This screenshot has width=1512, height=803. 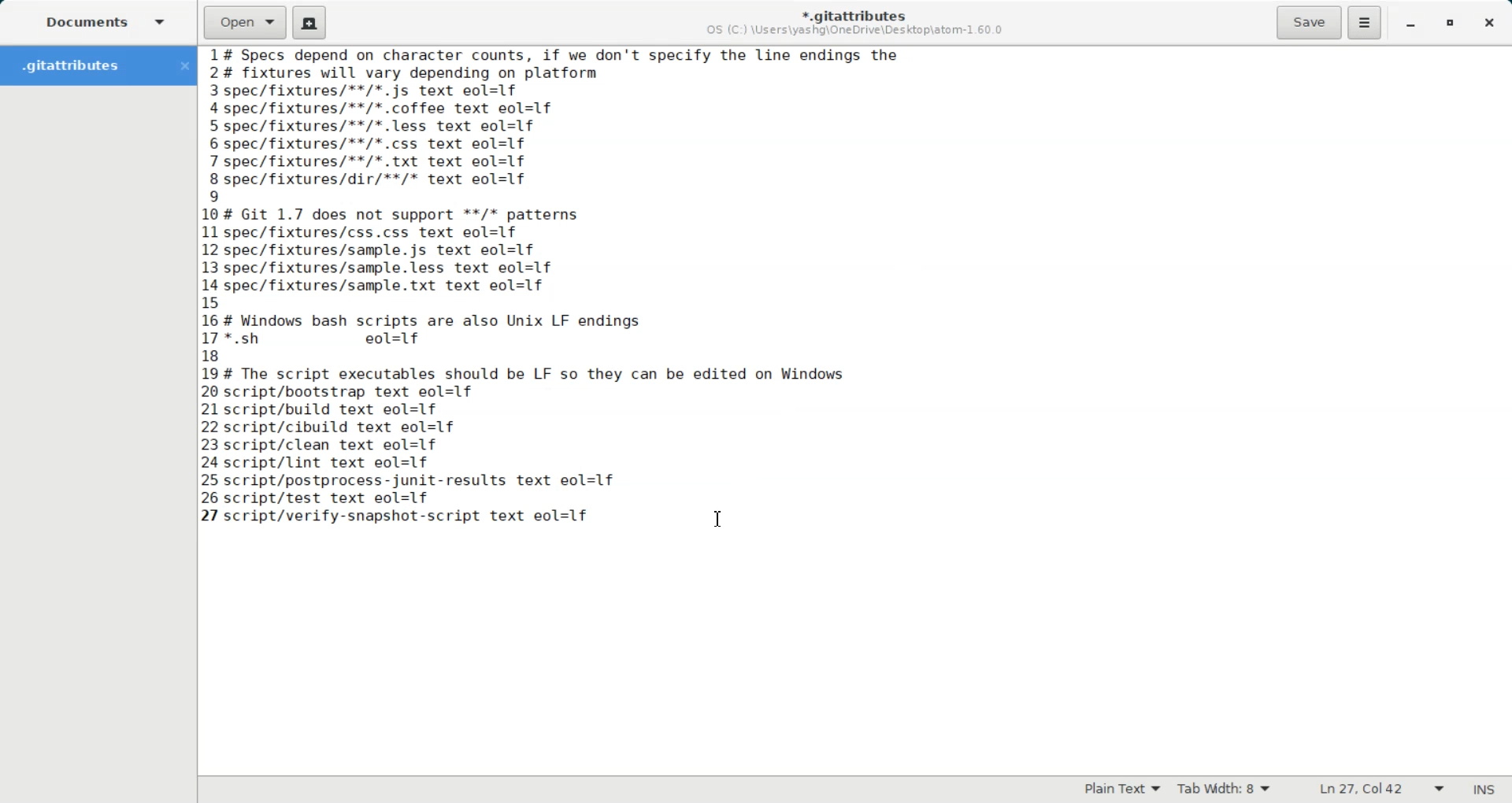 I want to click on Open a file, so click(x=245, y=21).